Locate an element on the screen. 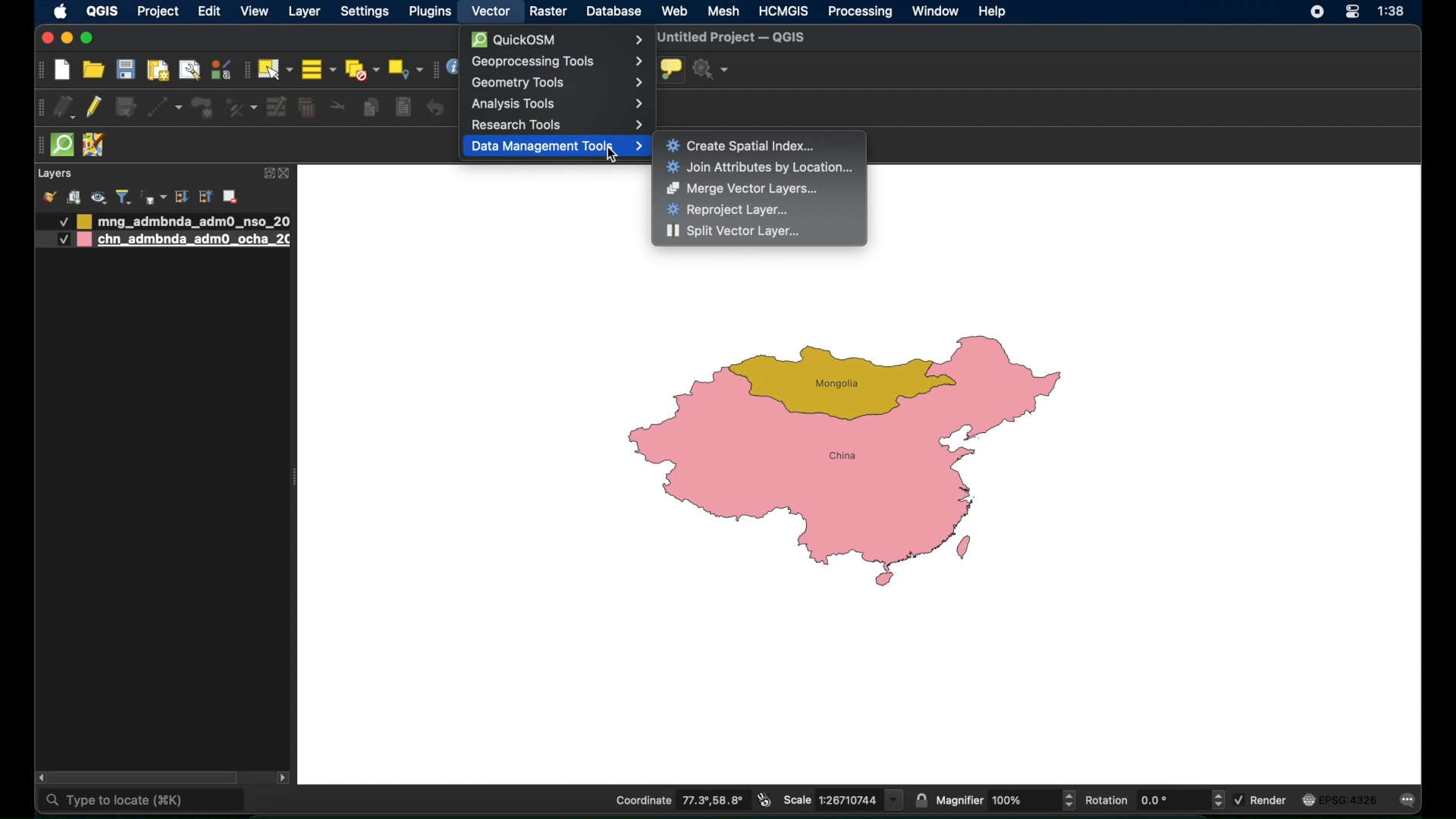  close is located at coordinates (47, 39).